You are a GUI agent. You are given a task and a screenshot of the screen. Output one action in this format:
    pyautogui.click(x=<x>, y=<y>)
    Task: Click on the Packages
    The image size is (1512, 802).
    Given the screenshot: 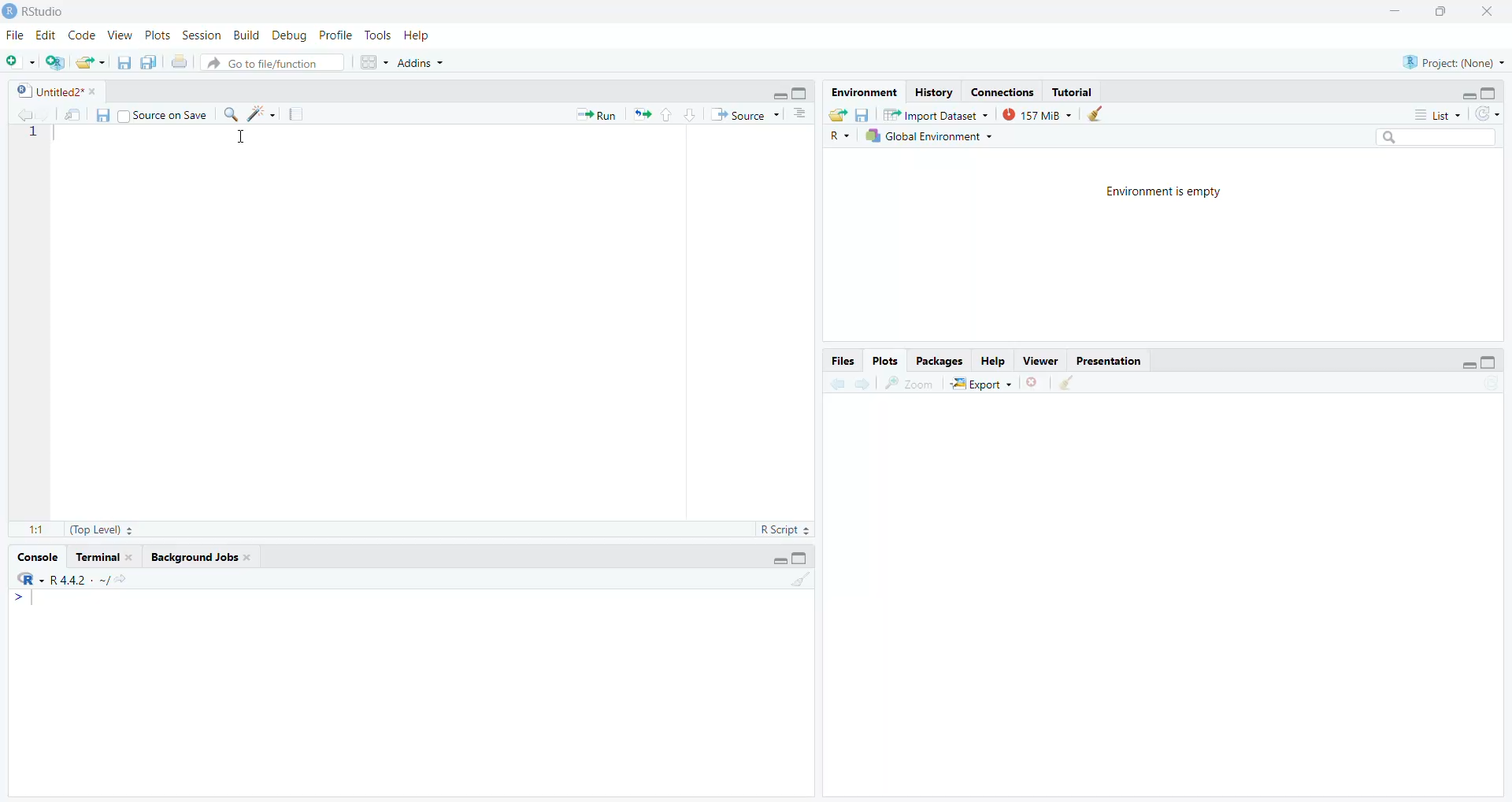 What is the action you would take?
    pyautogui.click(x=942, y=361)
    